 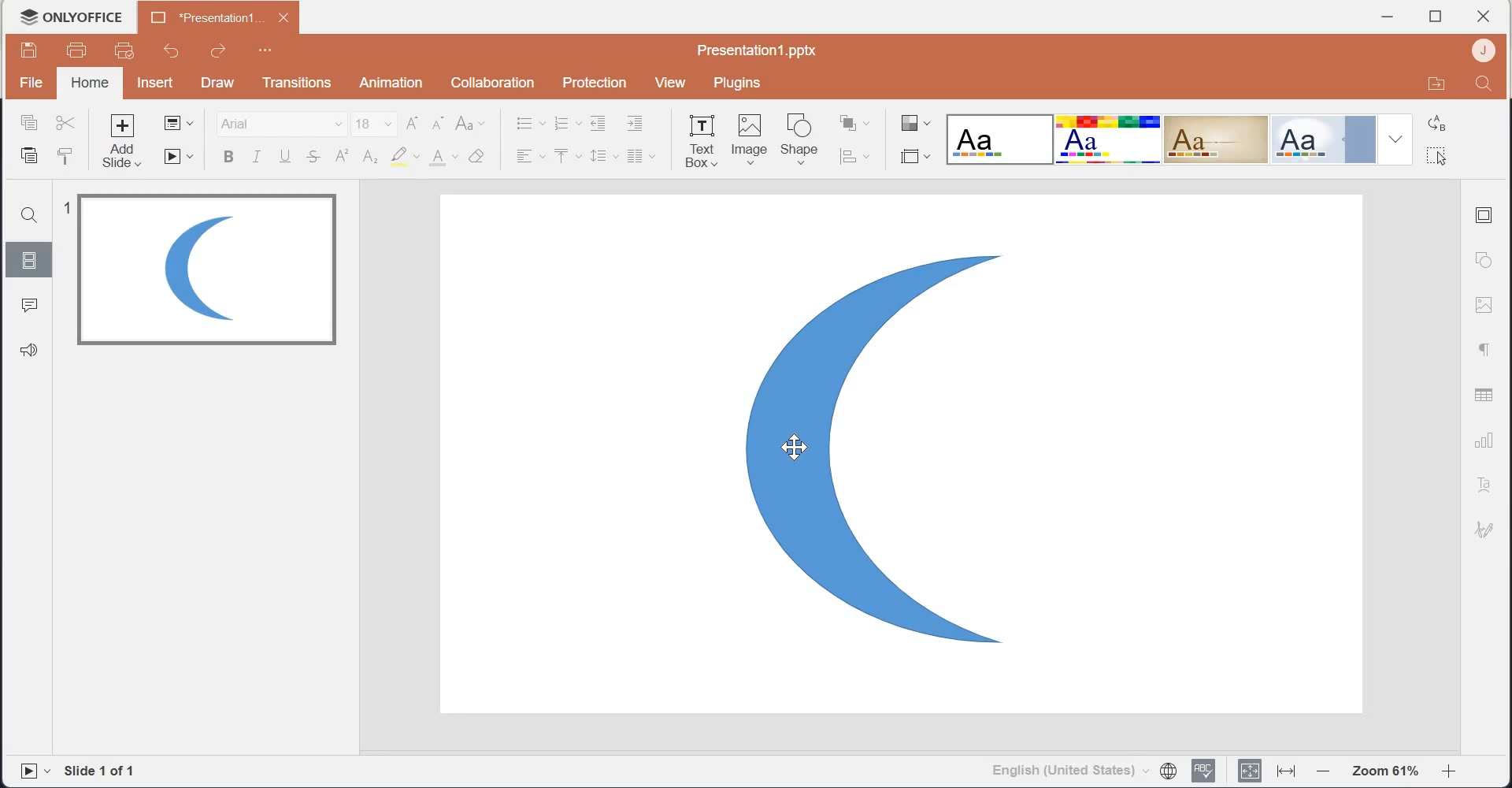 What do you see at coordinates (1484, 528) in the screenshot?
I see `Signature` at bounding box center [1484, 528].